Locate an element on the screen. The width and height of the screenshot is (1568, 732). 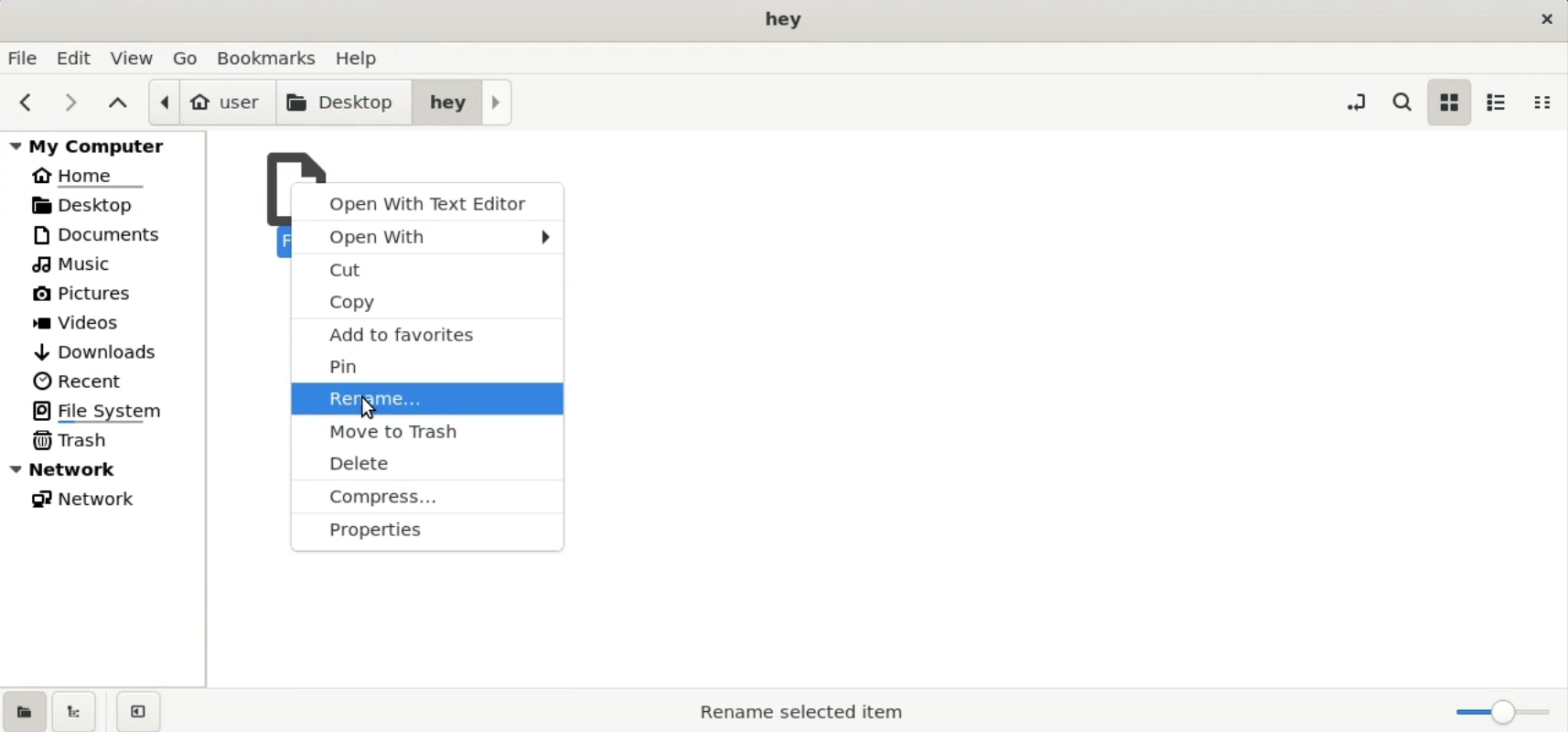
compress is located at coordinates (424, 498).